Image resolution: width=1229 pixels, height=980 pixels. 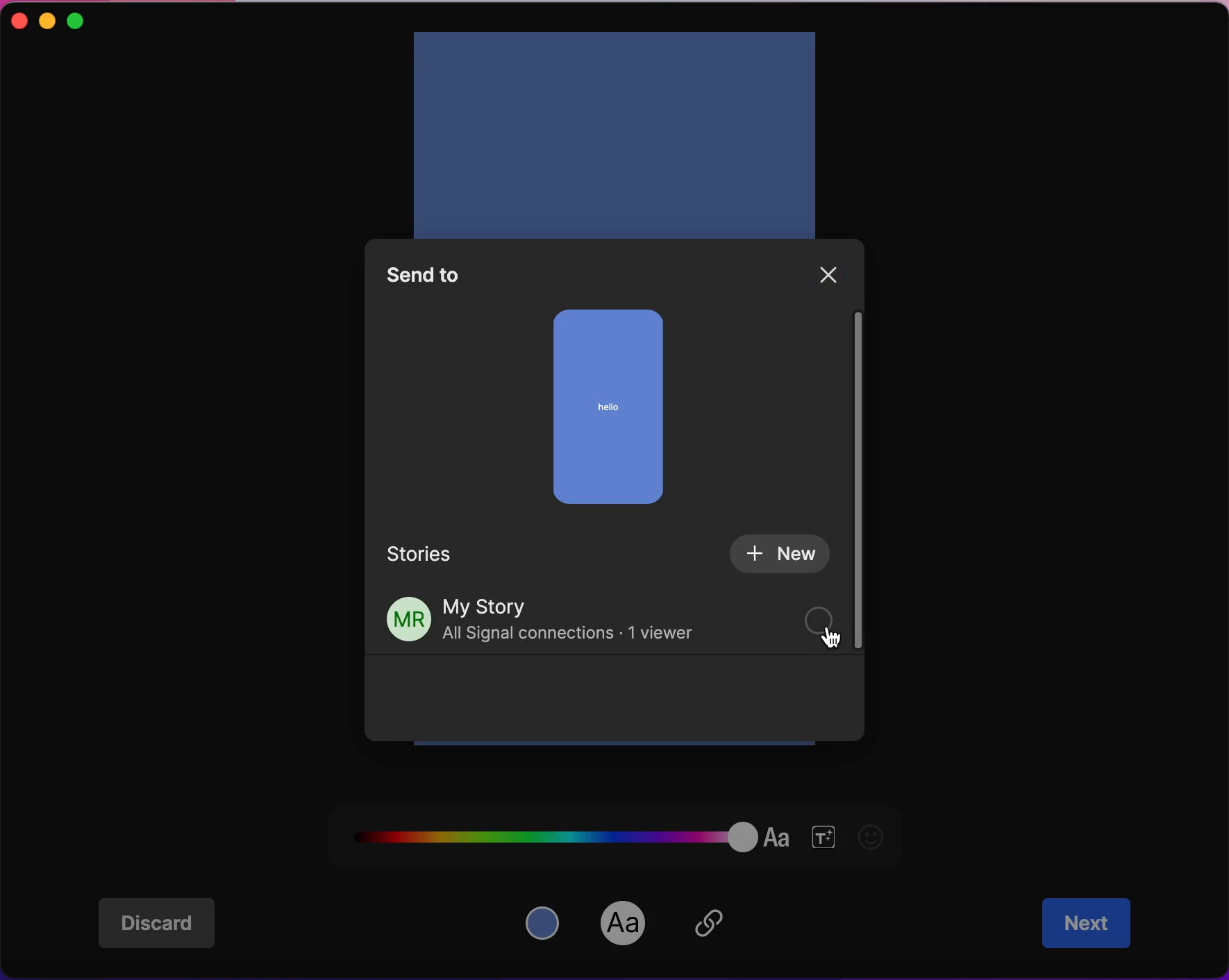 I want to click on font, so click(x=624, y=924).